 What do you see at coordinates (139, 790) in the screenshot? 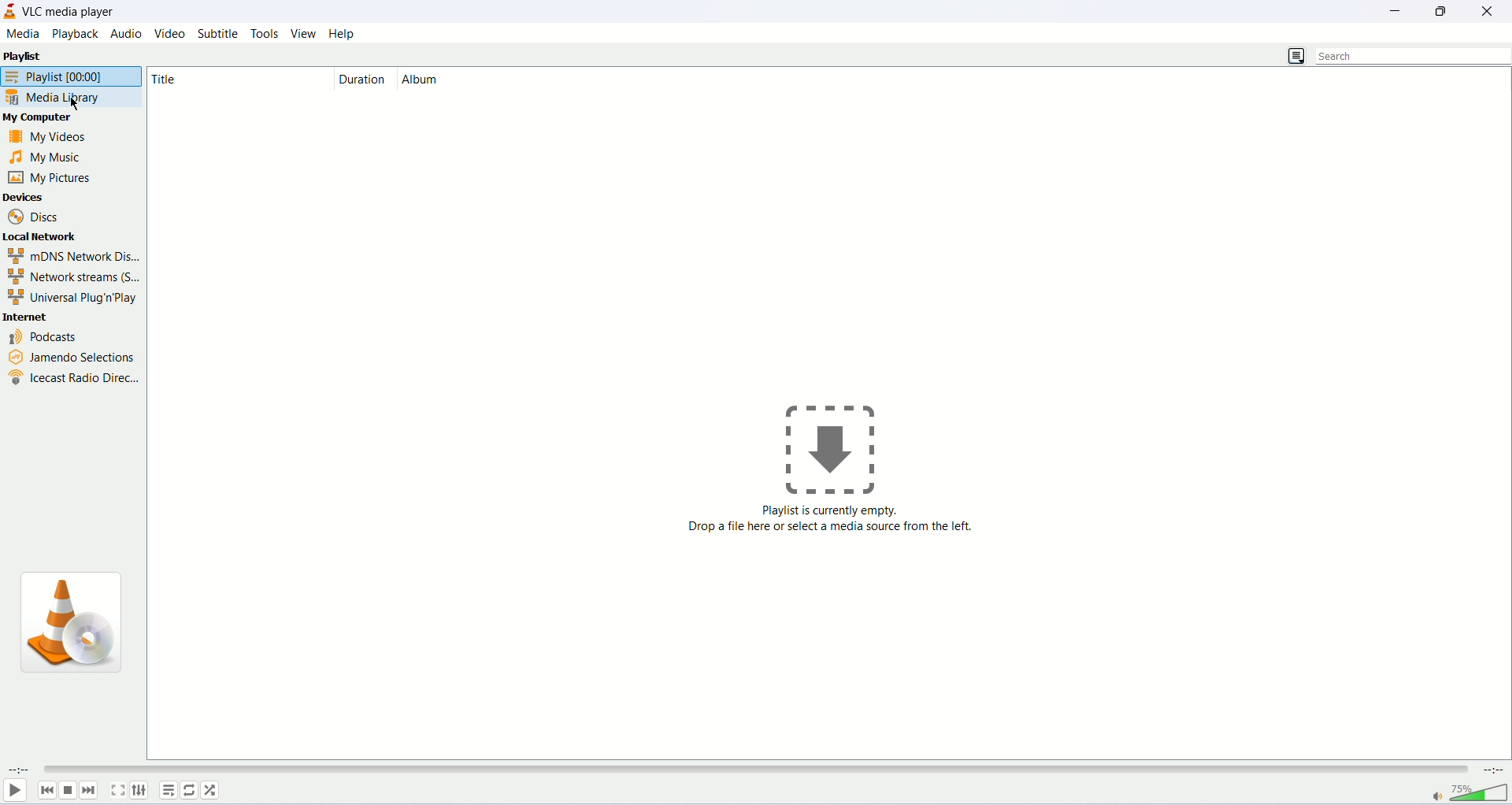
I see `extended settings` at bounding box center [139, 790].